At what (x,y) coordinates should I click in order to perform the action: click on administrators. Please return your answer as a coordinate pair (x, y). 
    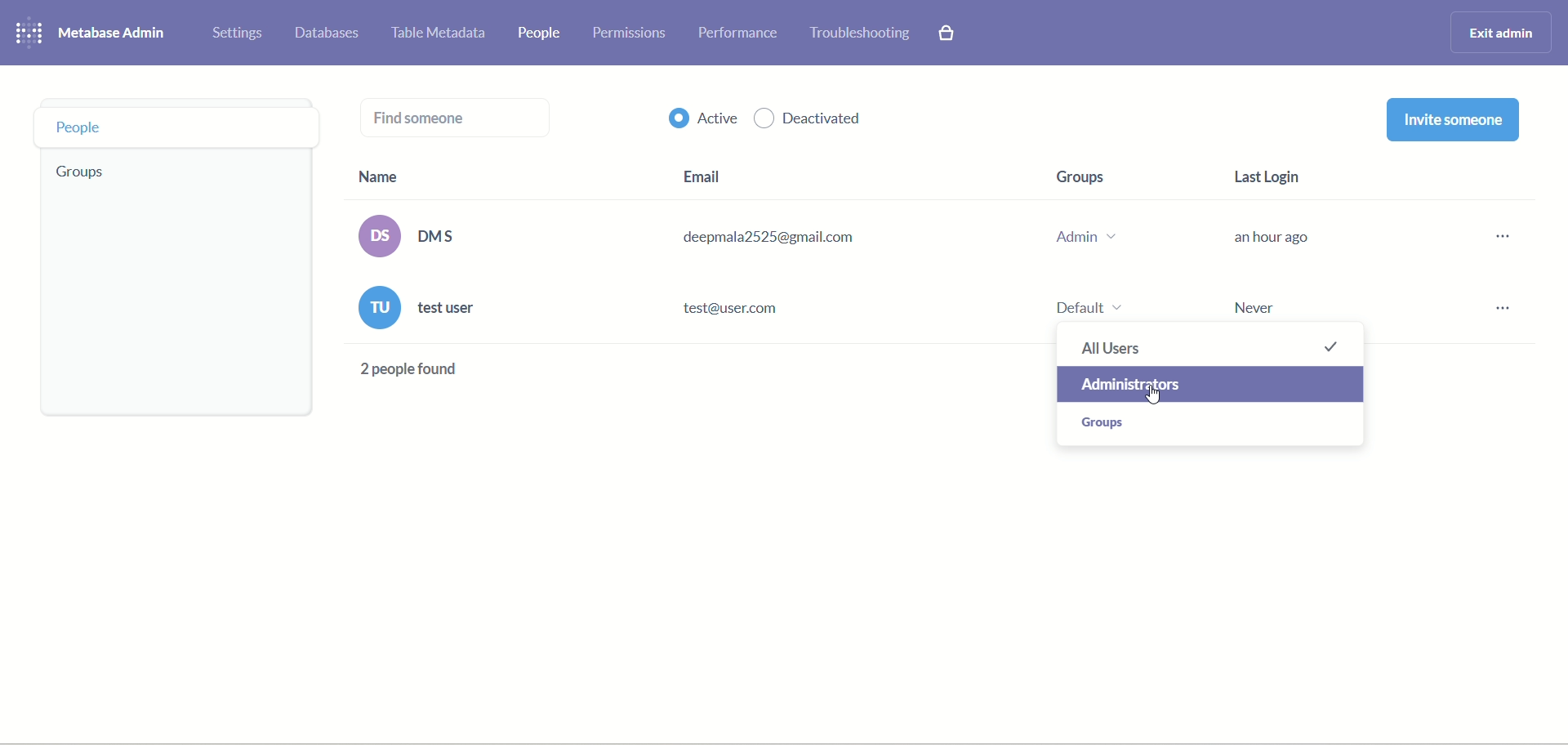
    Looking at the image, I should click on (1211, 384).